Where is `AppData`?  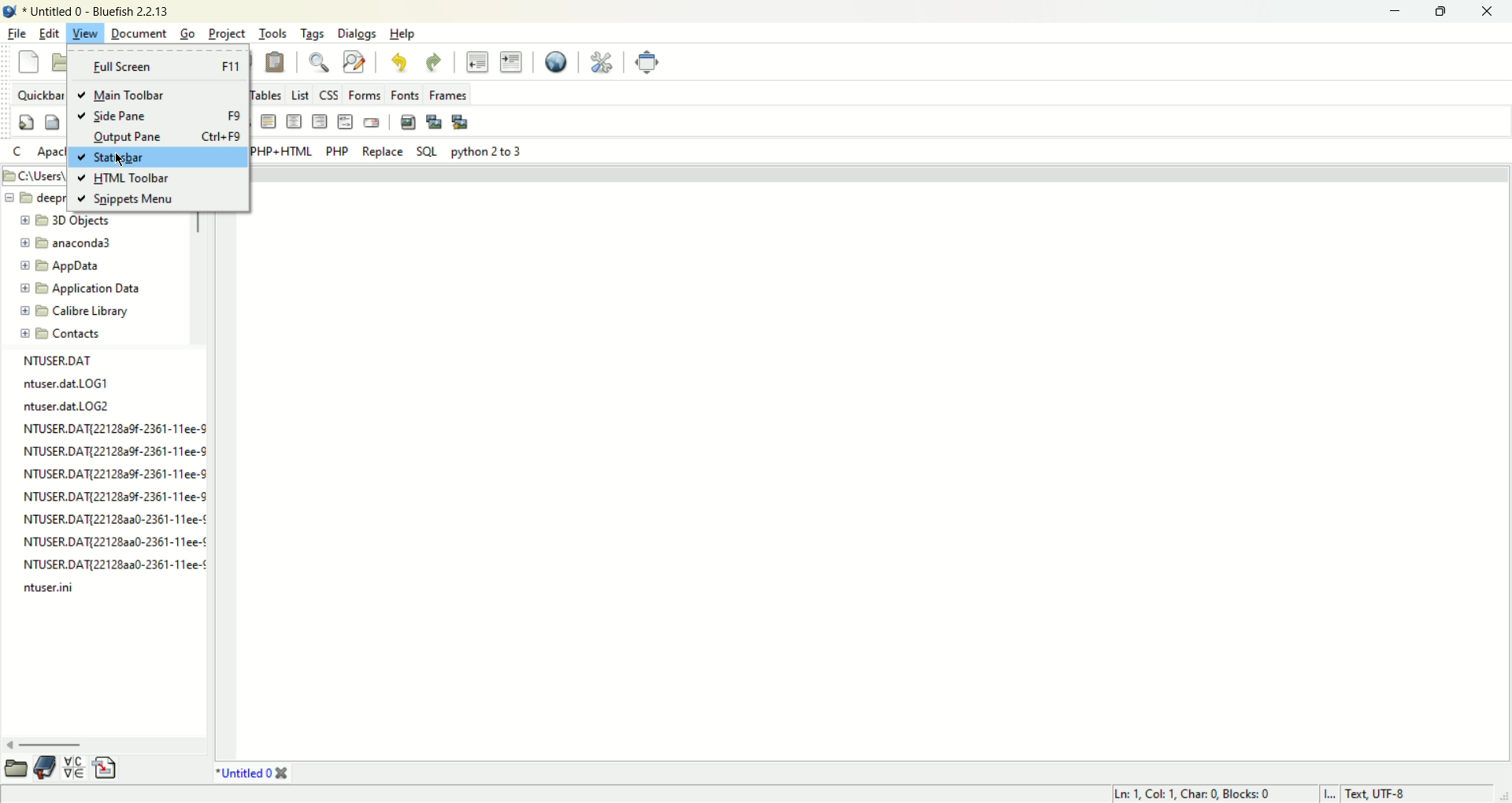
AppData is located at coordinates (75, 266).